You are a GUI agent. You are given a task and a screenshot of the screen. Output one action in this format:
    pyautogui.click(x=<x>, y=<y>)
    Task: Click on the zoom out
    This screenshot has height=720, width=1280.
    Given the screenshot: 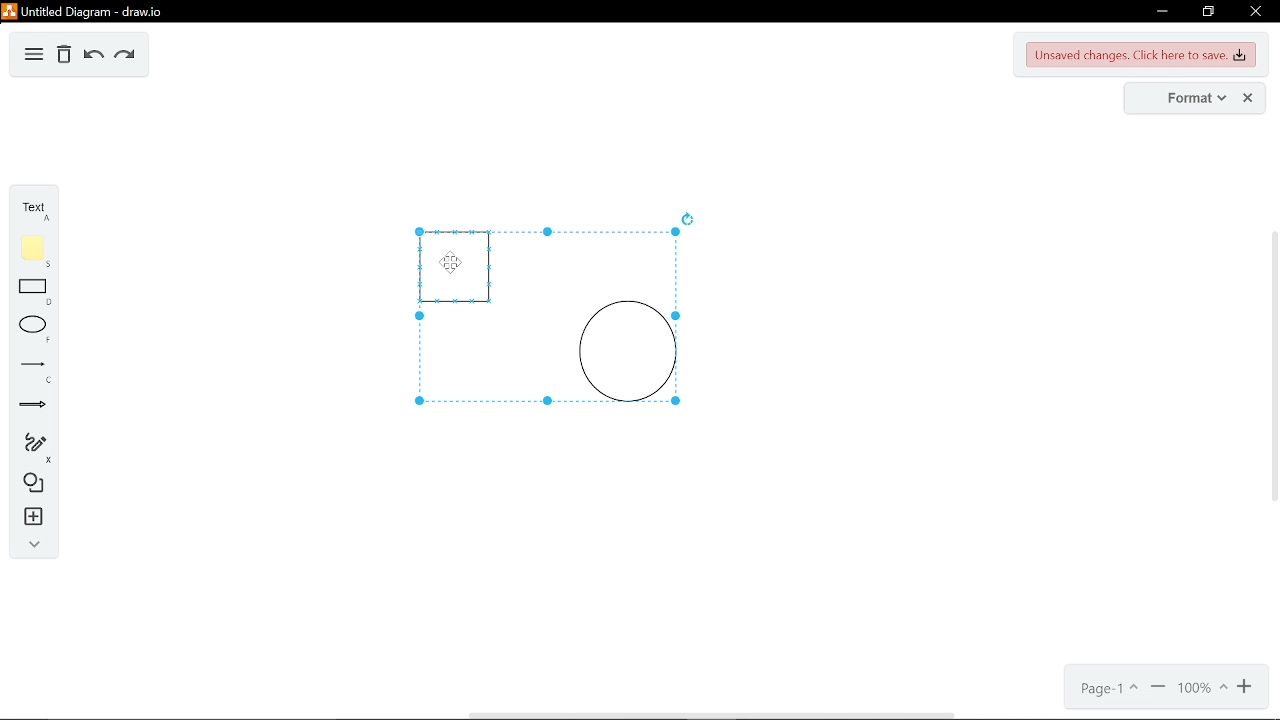 What is the action you would take?
    pyautogui.click(x=1246, y=688)
    